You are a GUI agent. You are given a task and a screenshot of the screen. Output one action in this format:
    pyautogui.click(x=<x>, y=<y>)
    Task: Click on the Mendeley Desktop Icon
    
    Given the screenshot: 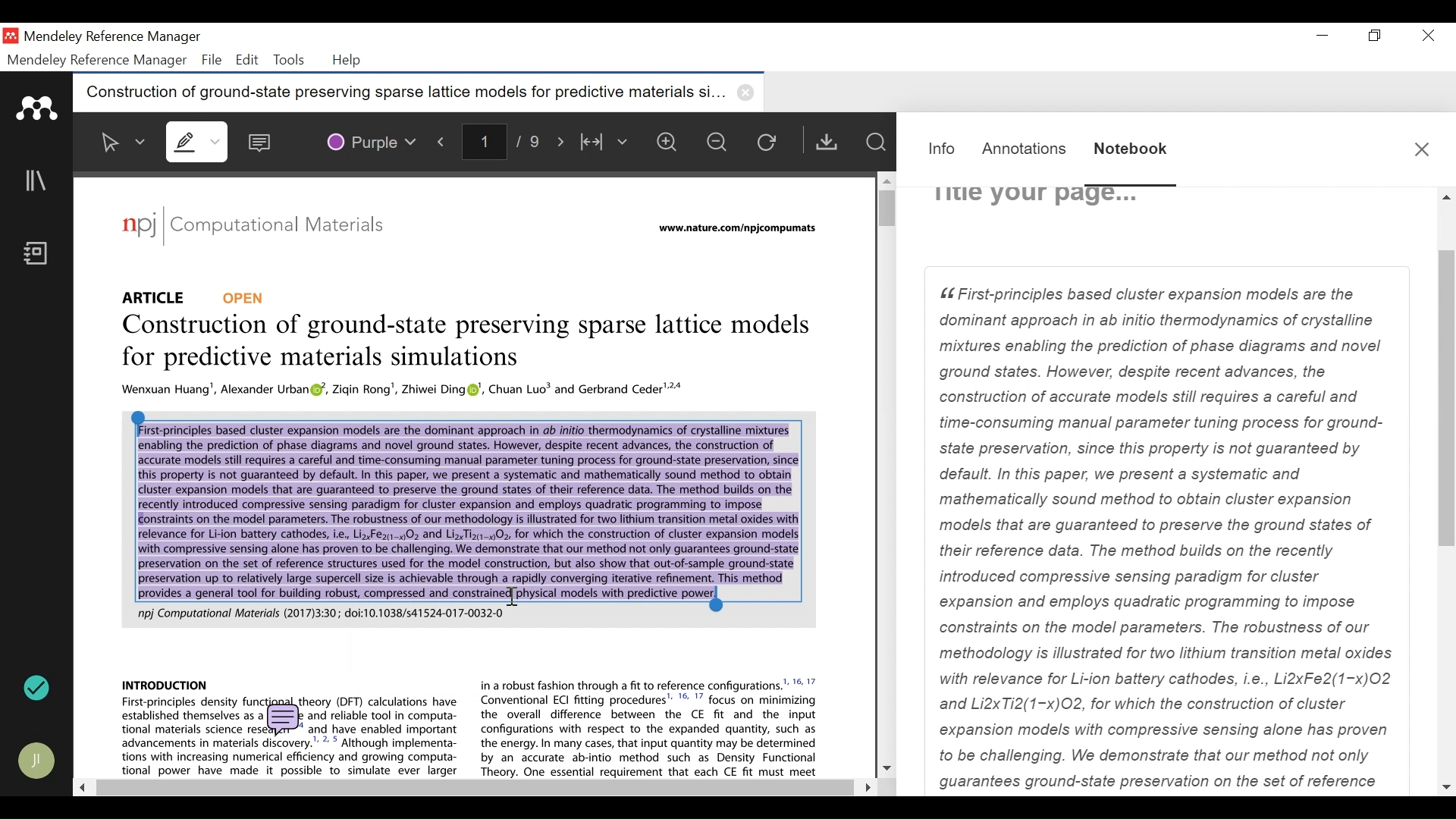 What is the action you would take?
    pyautogui.click(x=12, y=36)
    